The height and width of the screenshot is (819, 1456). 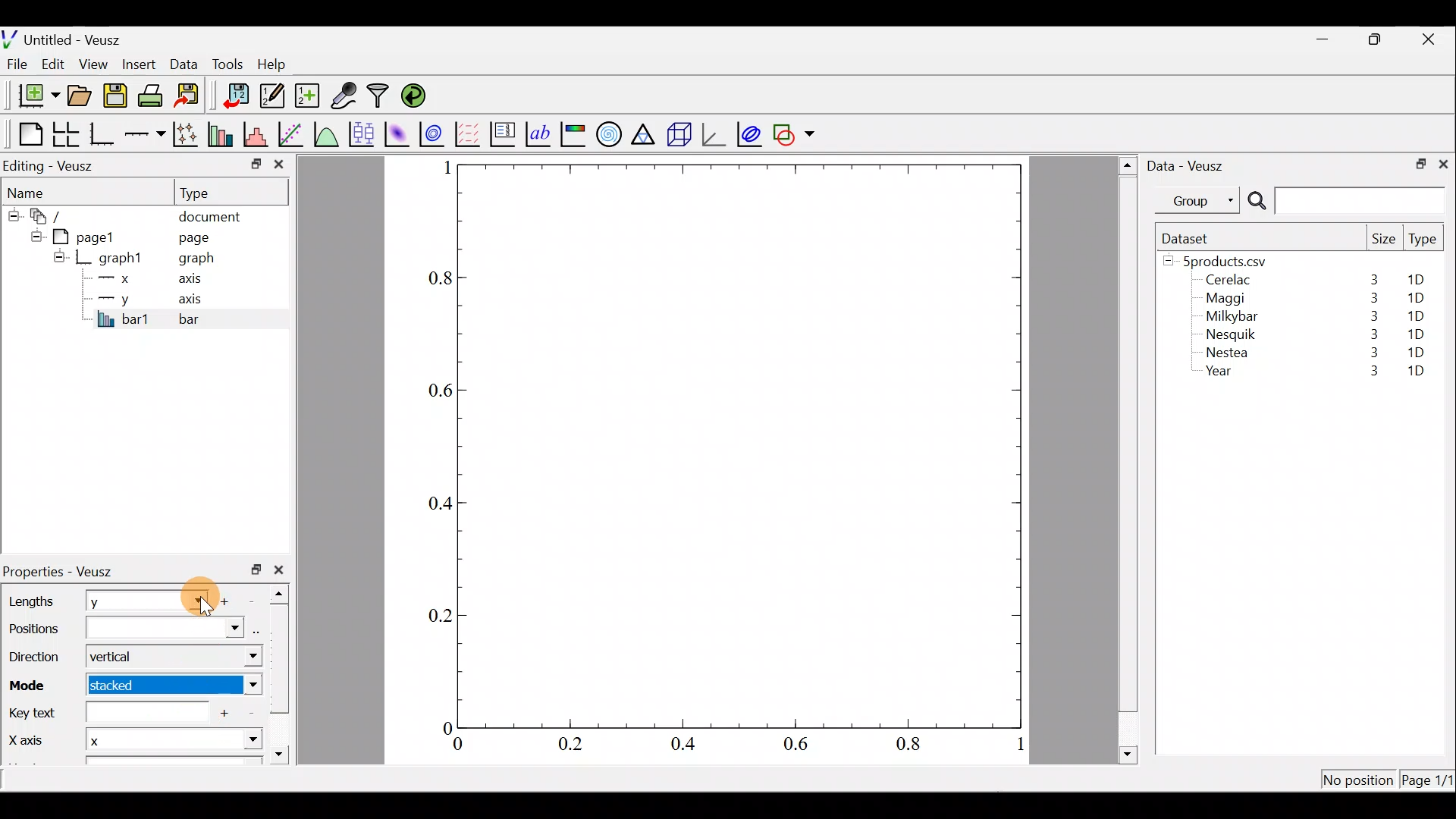 I want to click on Add another item, so click(x=229, y=601).